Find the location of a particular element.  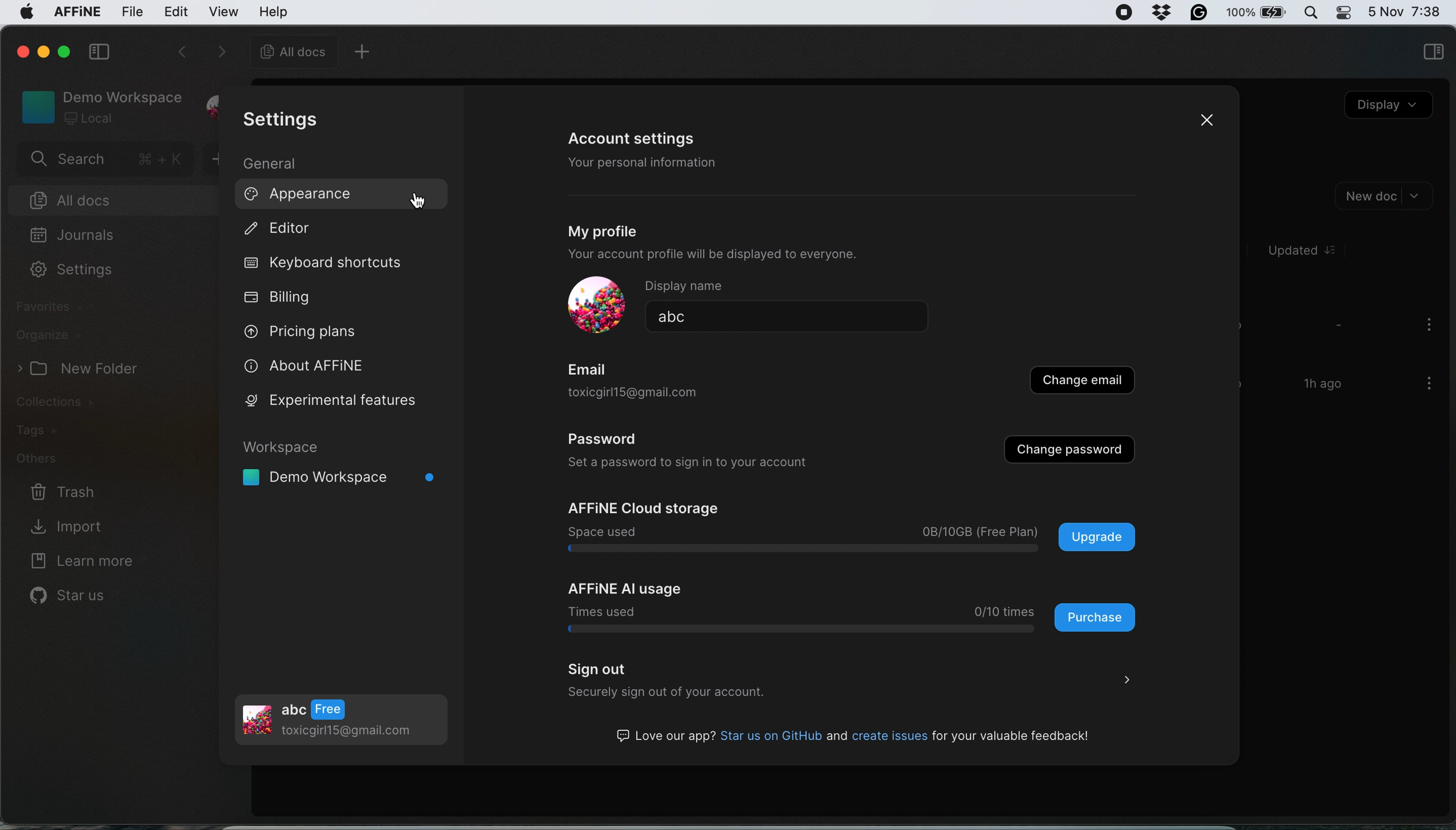

grammarly is located at coordinates (1201, 13).